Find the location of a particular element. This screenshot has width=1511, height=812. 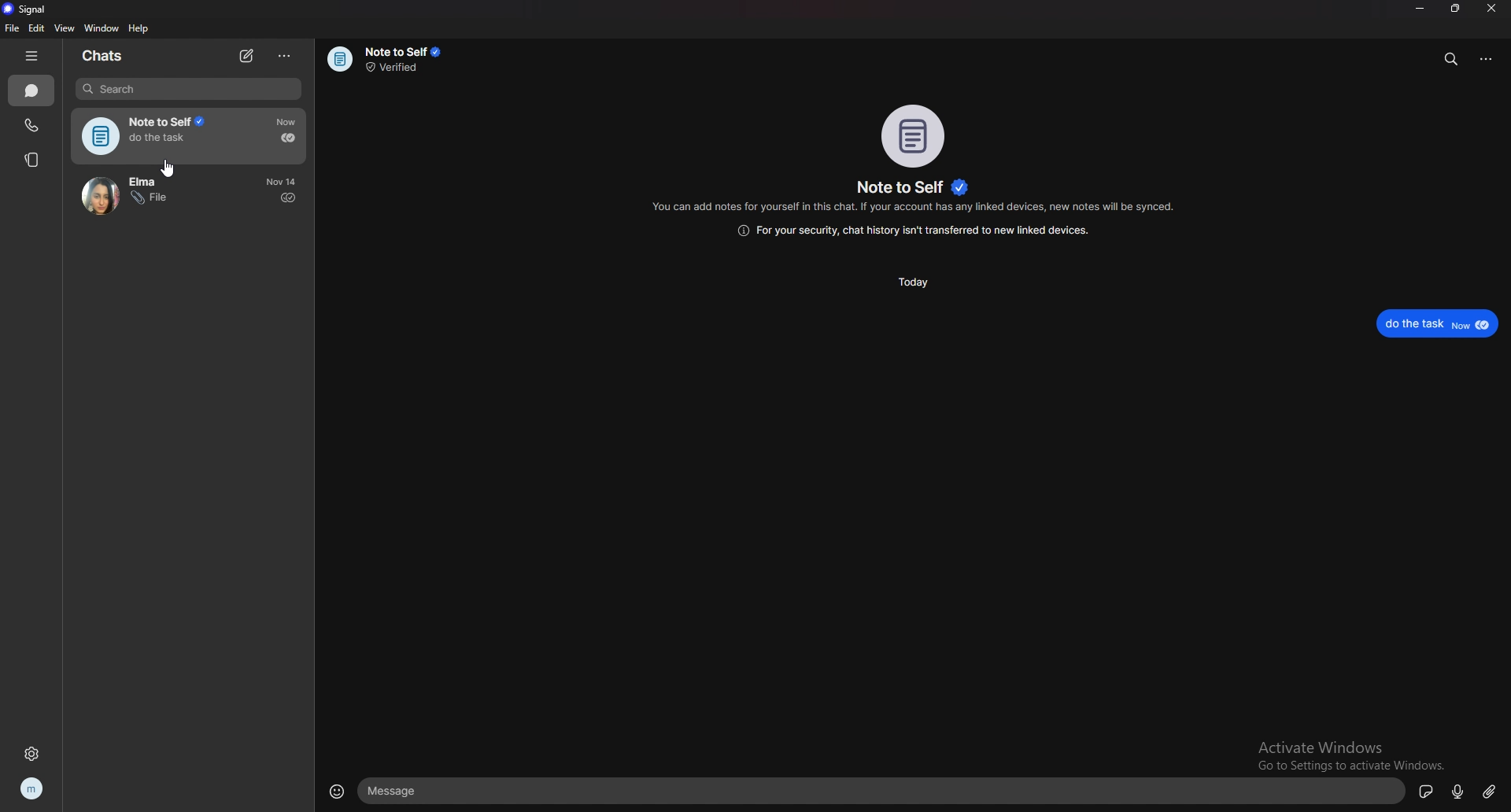

chats is located at coordinates (31, 90).